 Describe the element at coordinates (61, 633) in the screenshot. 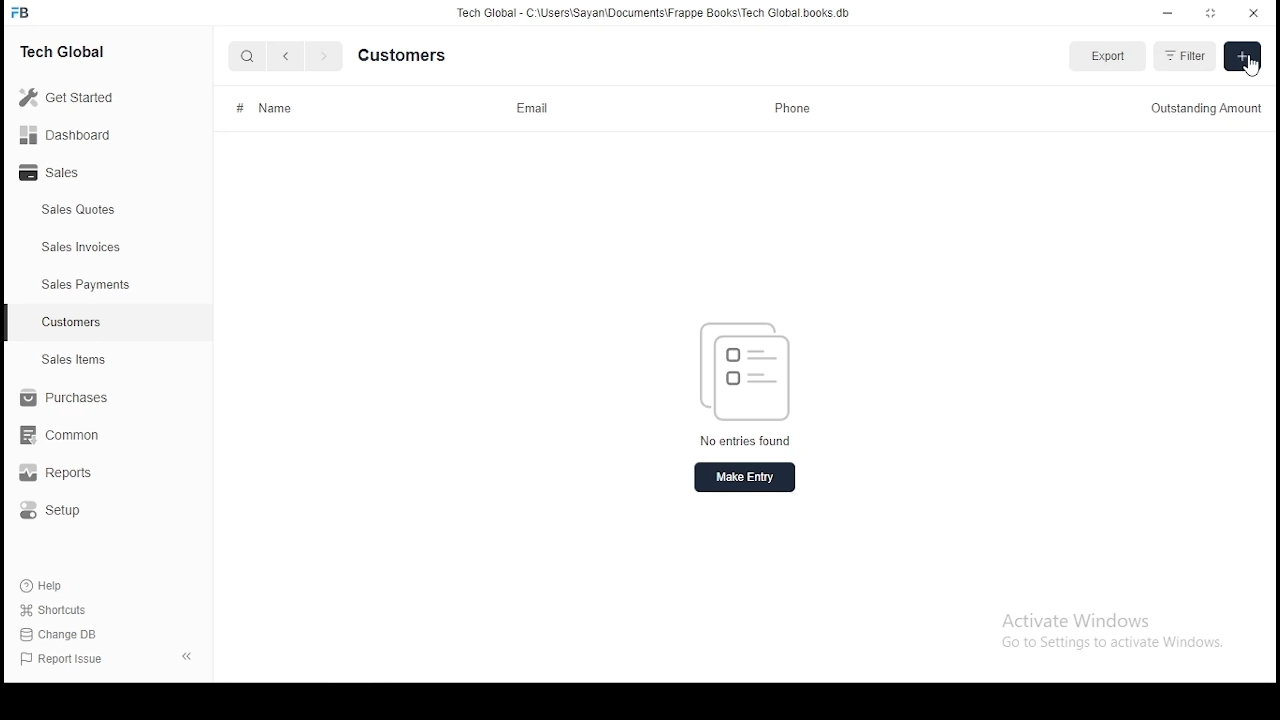

I see `change DB` at that location.